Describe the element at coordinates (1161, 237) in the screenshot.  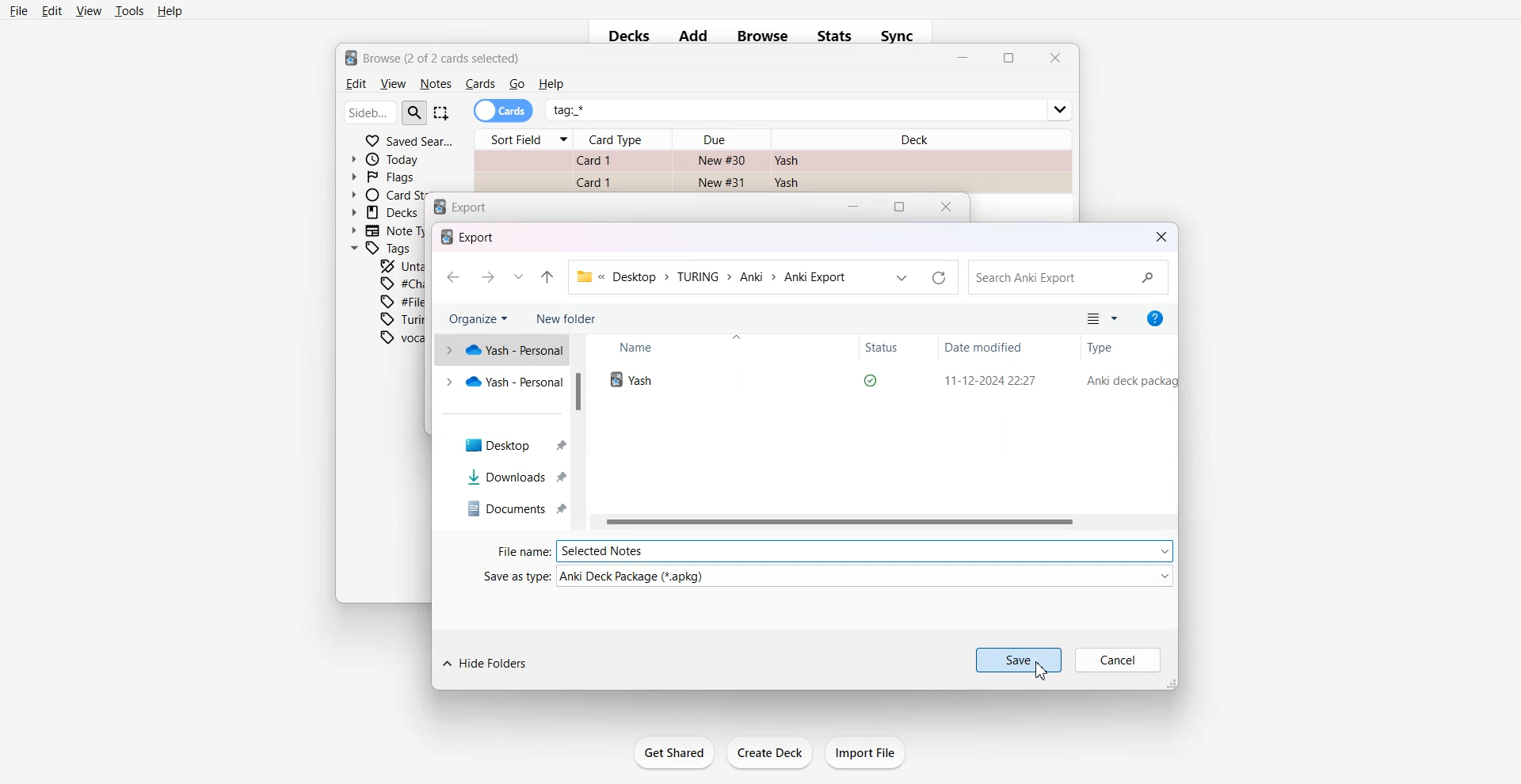
I see `Close` at that location.